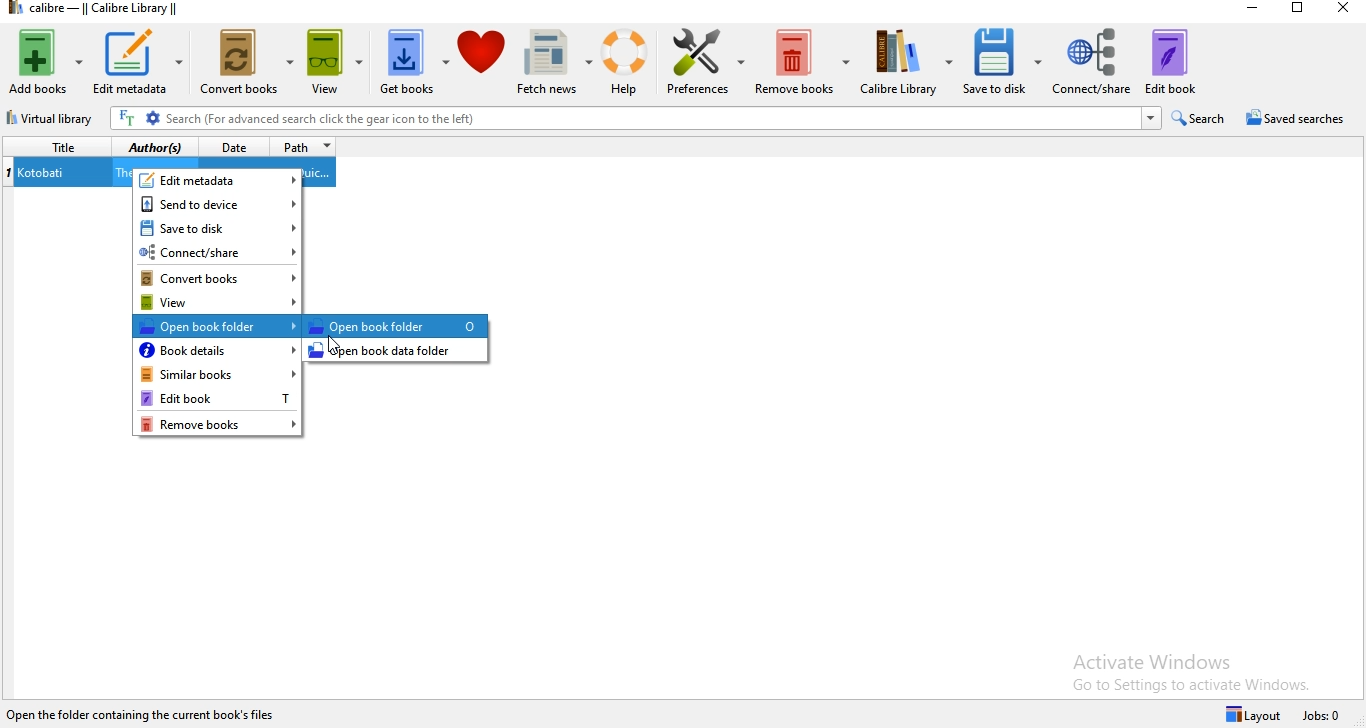 The width and height of the screenshot is (1366, 728). Describe the element at coordinates (1297, 118) in the screenshot. I see `saved searches` at that location.